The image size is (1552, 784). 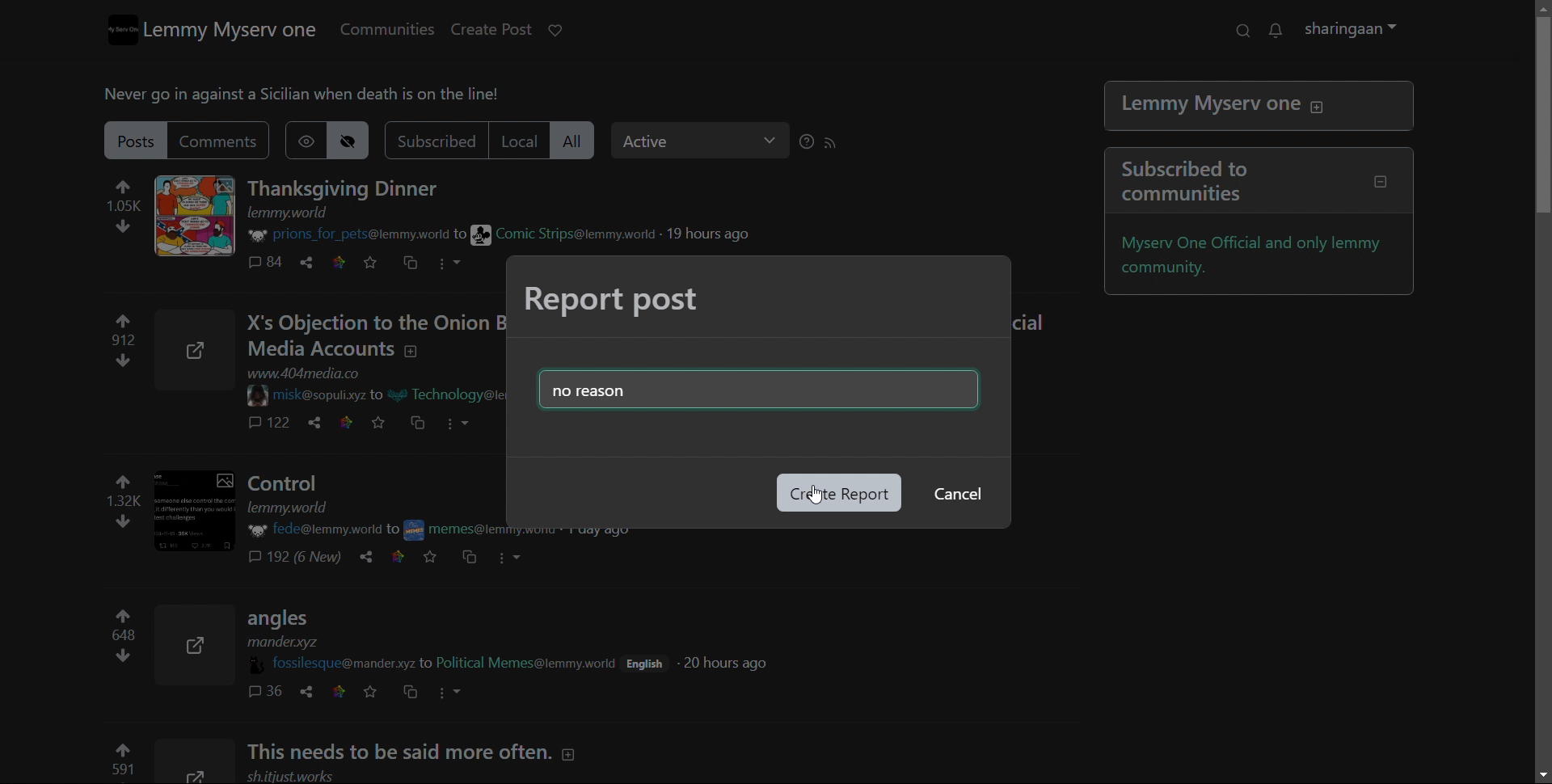 I want to click on username, so click(x=339, y=663).